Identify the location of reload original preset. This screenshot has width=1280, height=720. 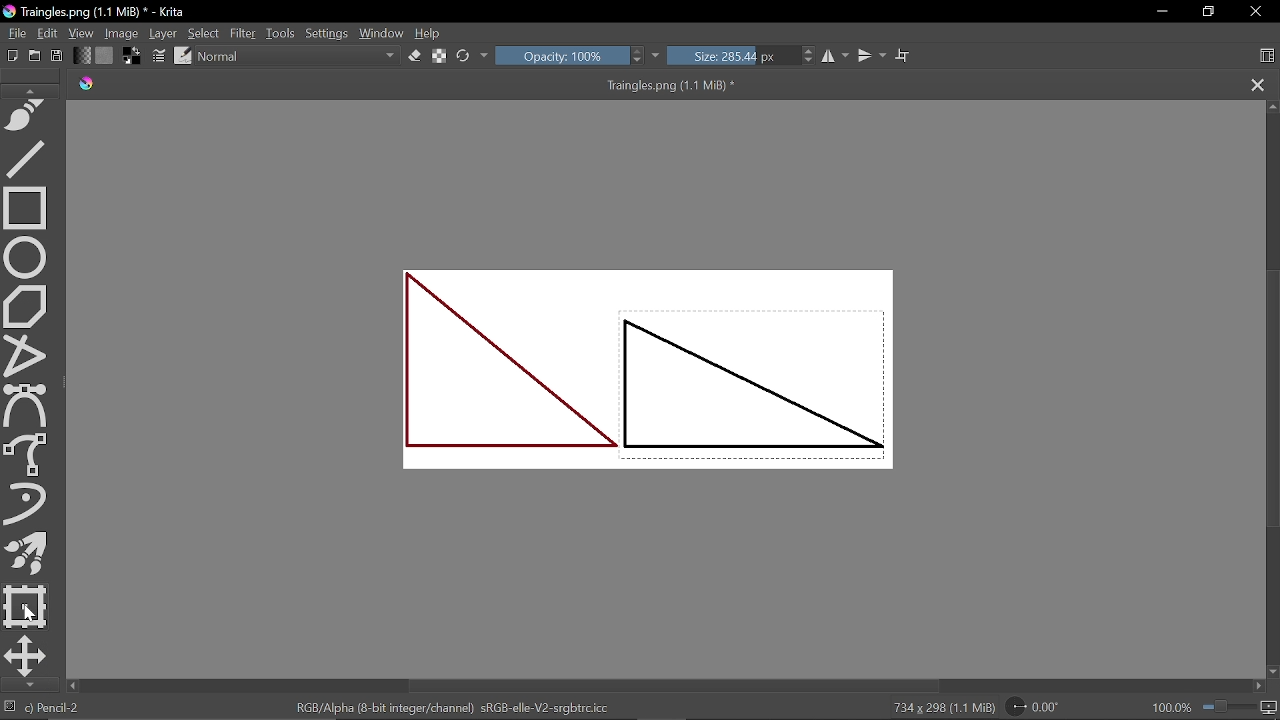
(464, 57).